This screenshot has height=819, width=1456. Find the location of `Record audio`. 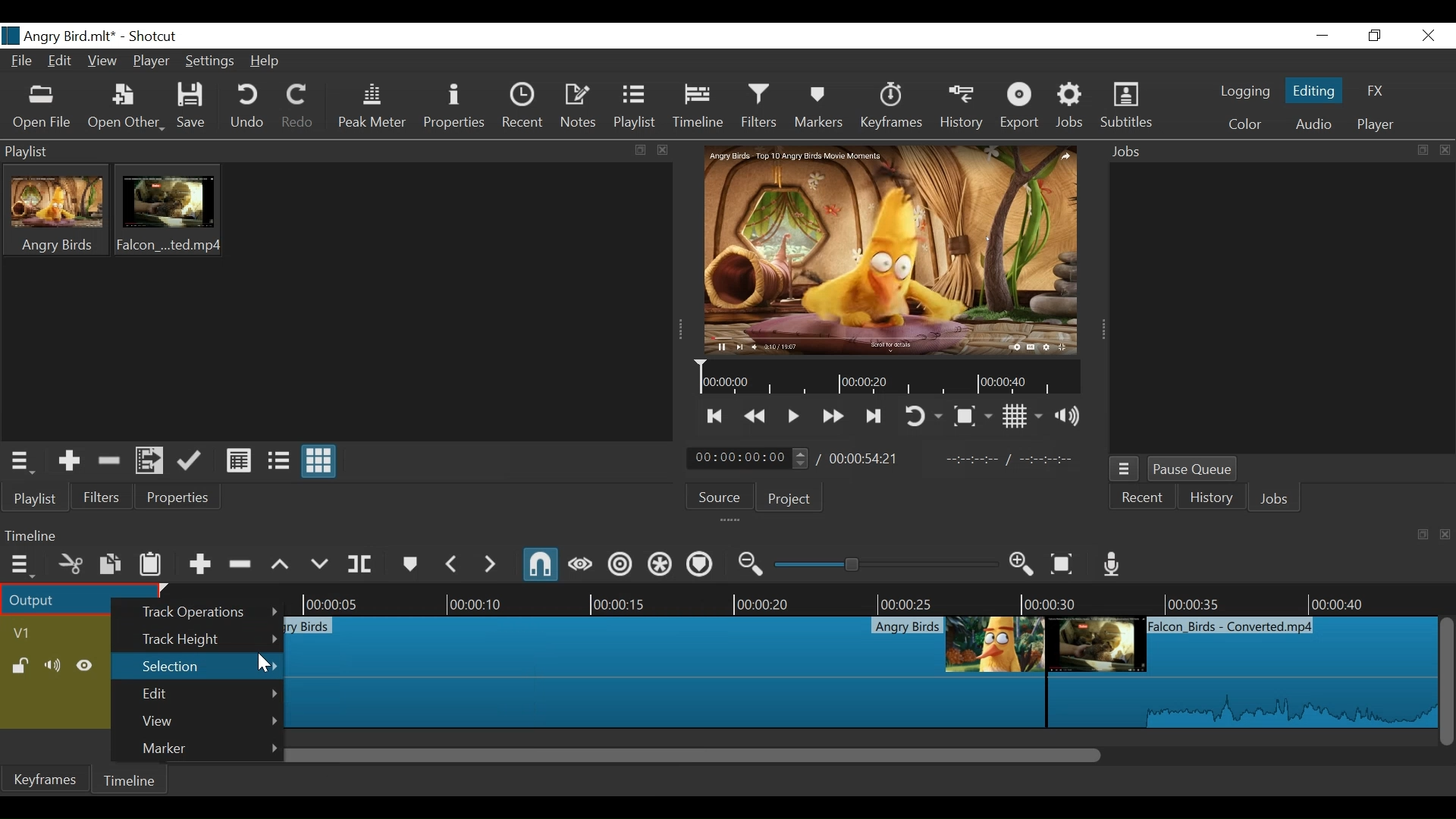

Record audio is located at coordinates (1109, 565).